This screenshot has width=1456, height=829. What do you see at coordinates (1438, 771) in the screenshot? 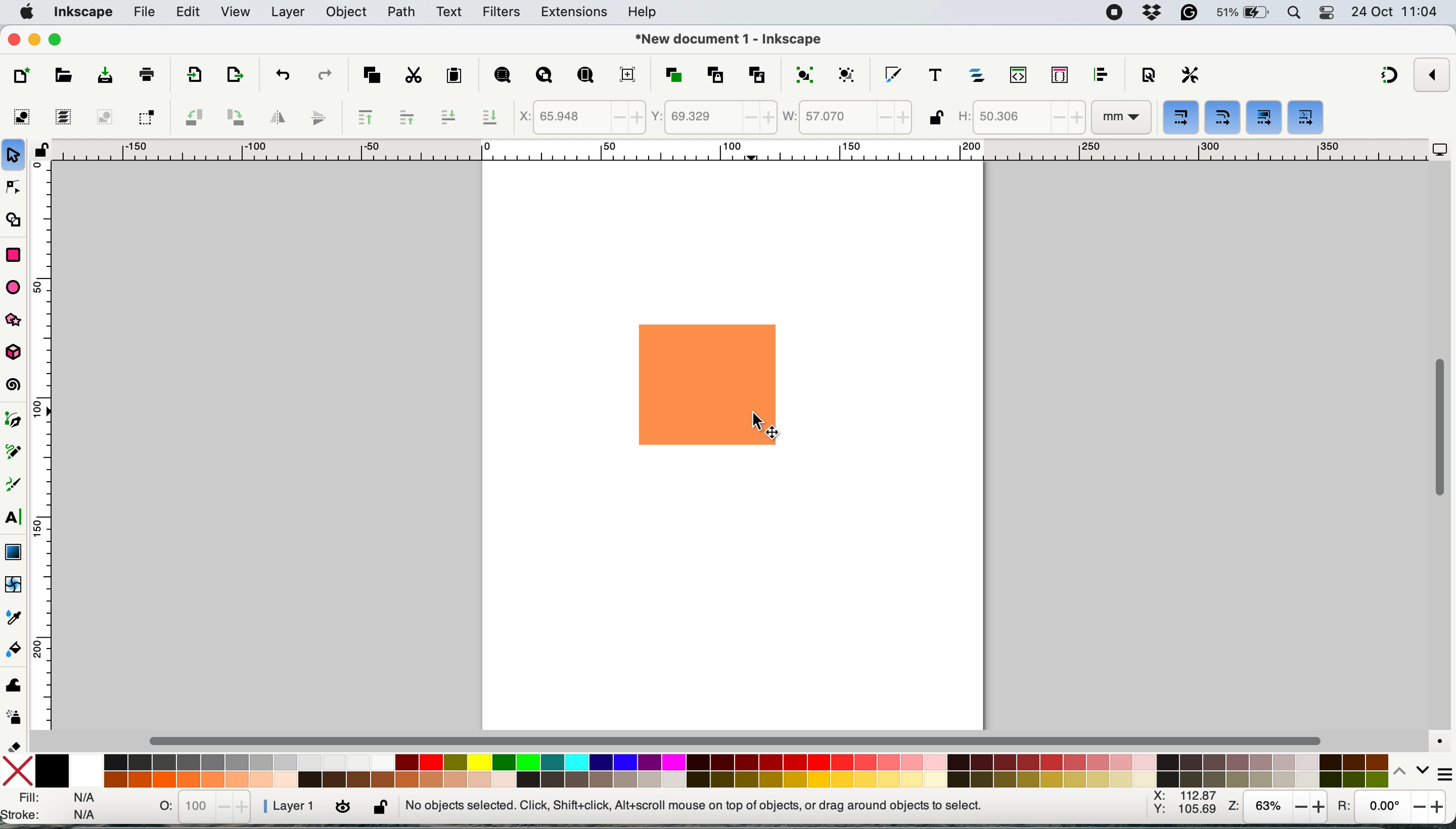
I see `more settings` at bounding box center [1438, 771].